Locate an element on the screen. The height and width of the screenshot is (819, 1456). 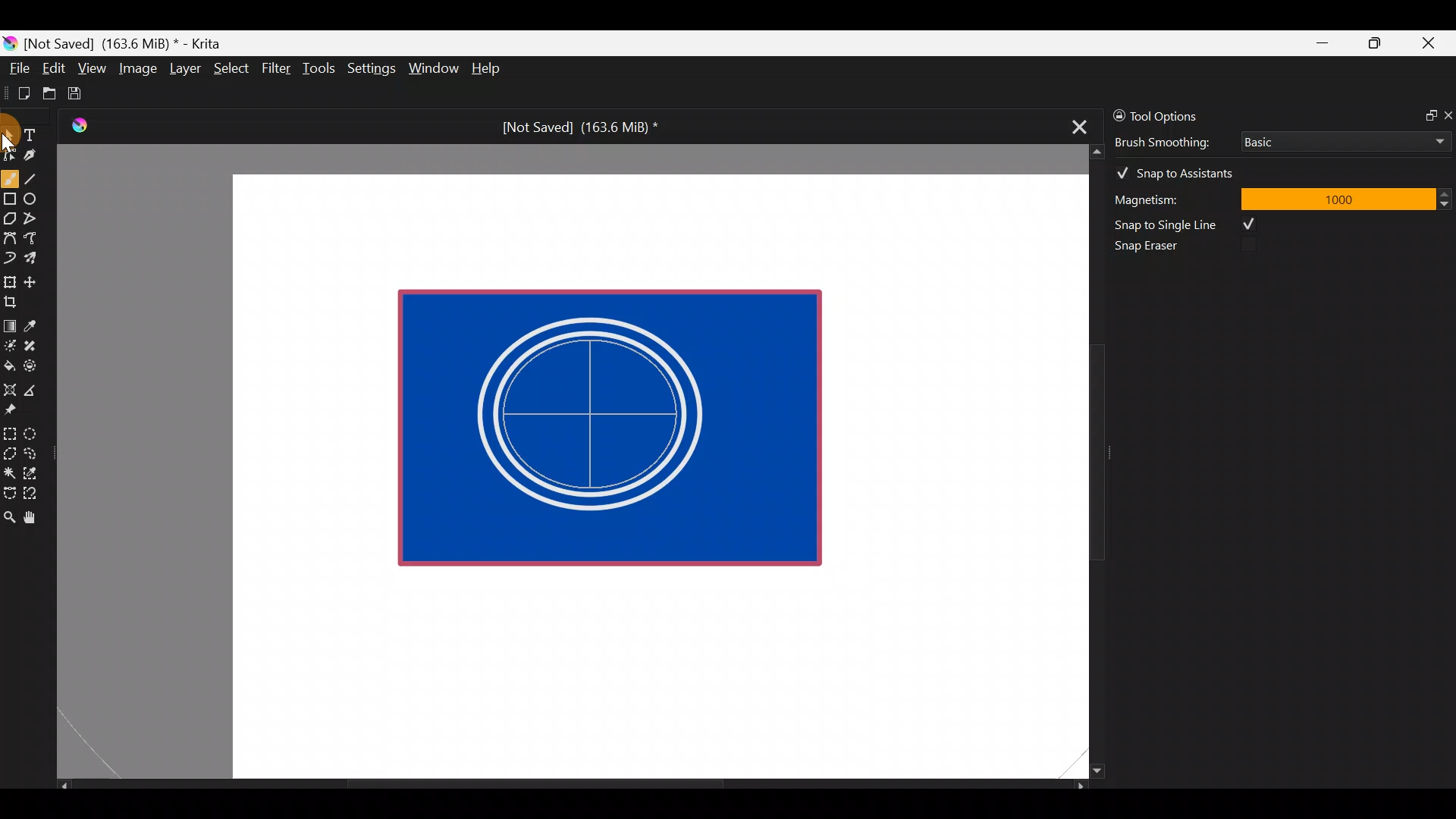
Sample a colour from the image/current layer is located at coordinates (36, 324).